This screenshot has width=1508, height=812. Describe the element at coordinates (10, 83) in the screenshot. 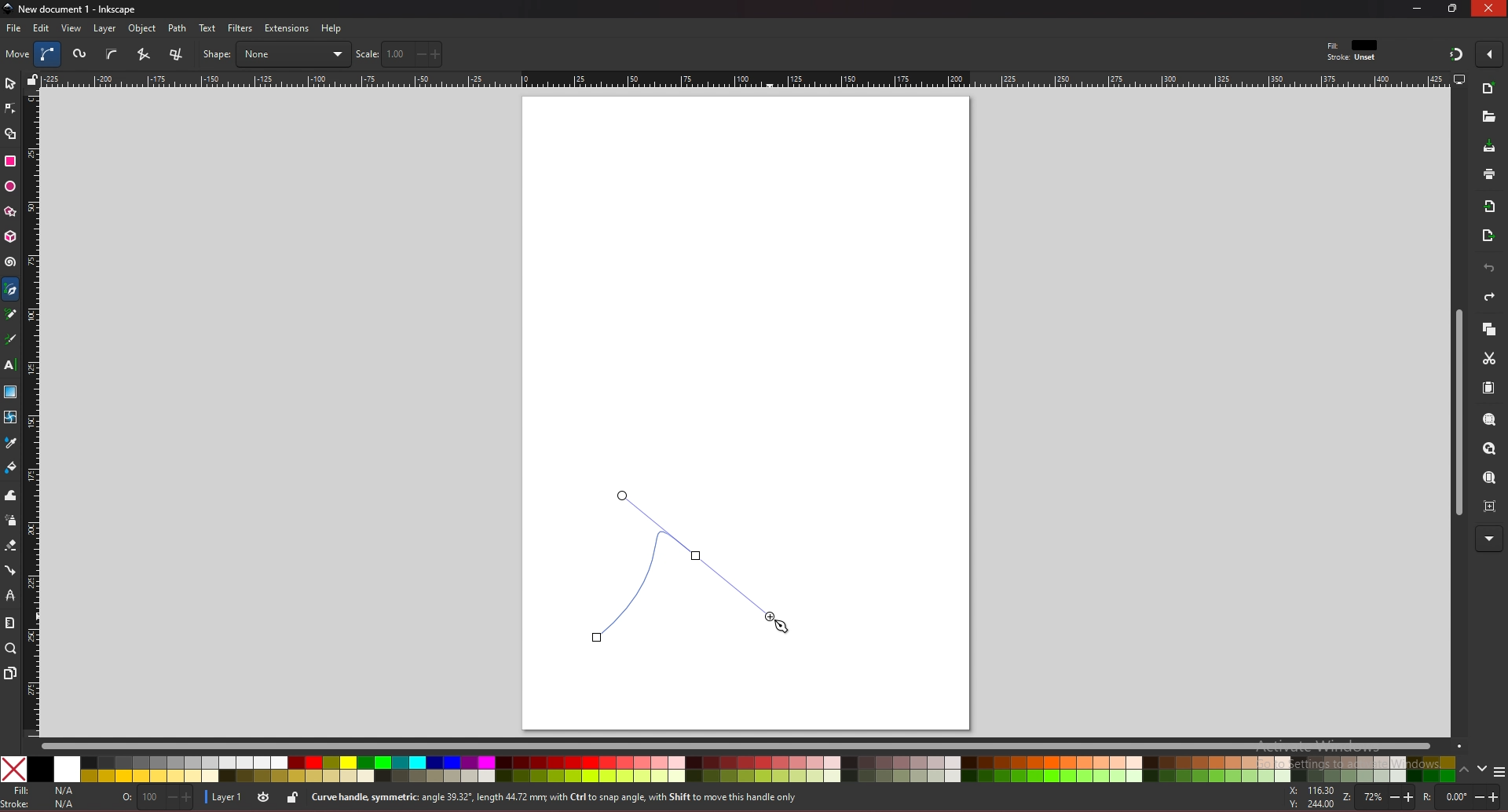

I see `selector` at that location.